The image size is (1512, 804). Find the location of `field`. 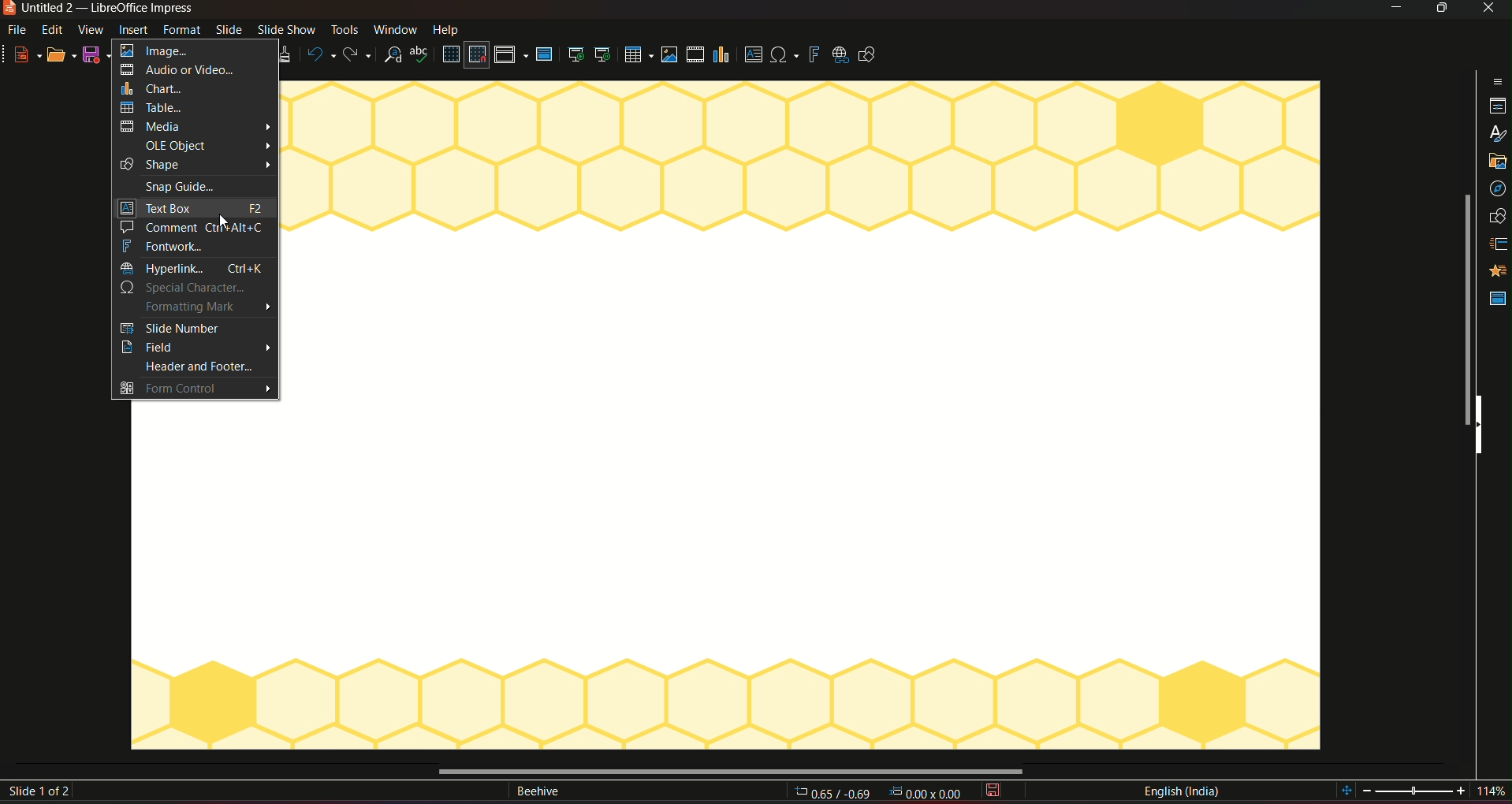

field is located at coordinates (194, 347).